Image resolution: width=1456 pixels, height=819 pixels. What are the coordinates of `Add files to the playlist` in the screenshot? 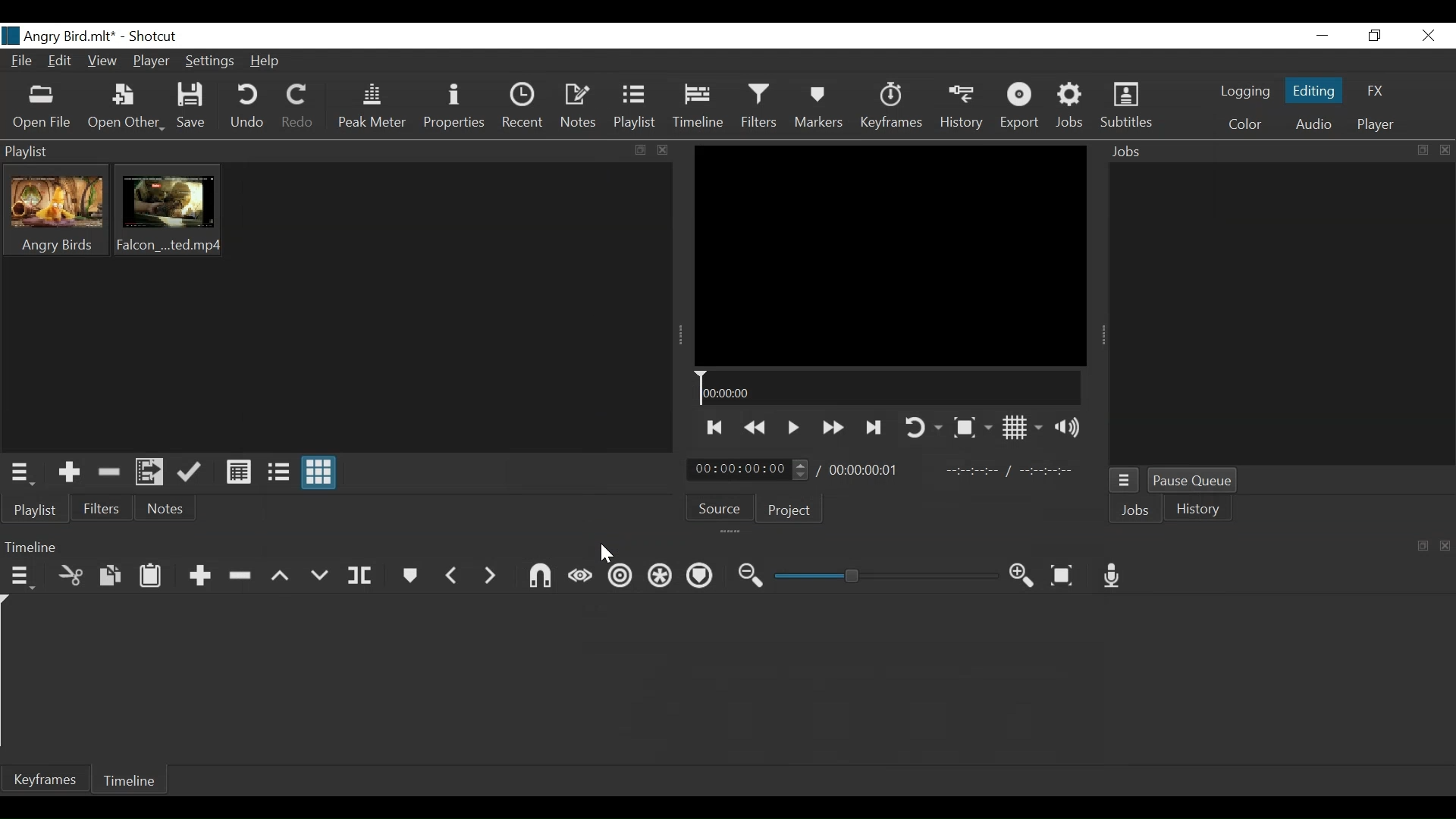 It's located at (151, 472).